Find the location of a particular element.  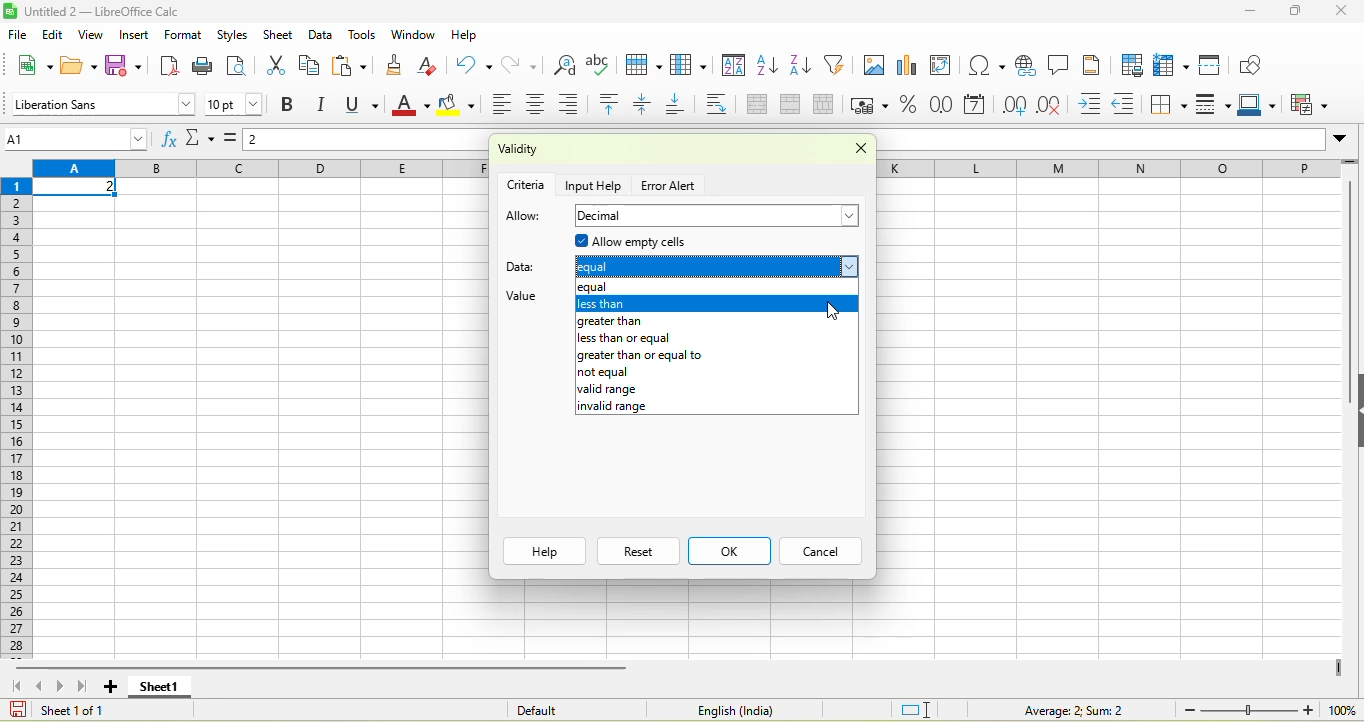

criteria is located at coordinates (527, 183).